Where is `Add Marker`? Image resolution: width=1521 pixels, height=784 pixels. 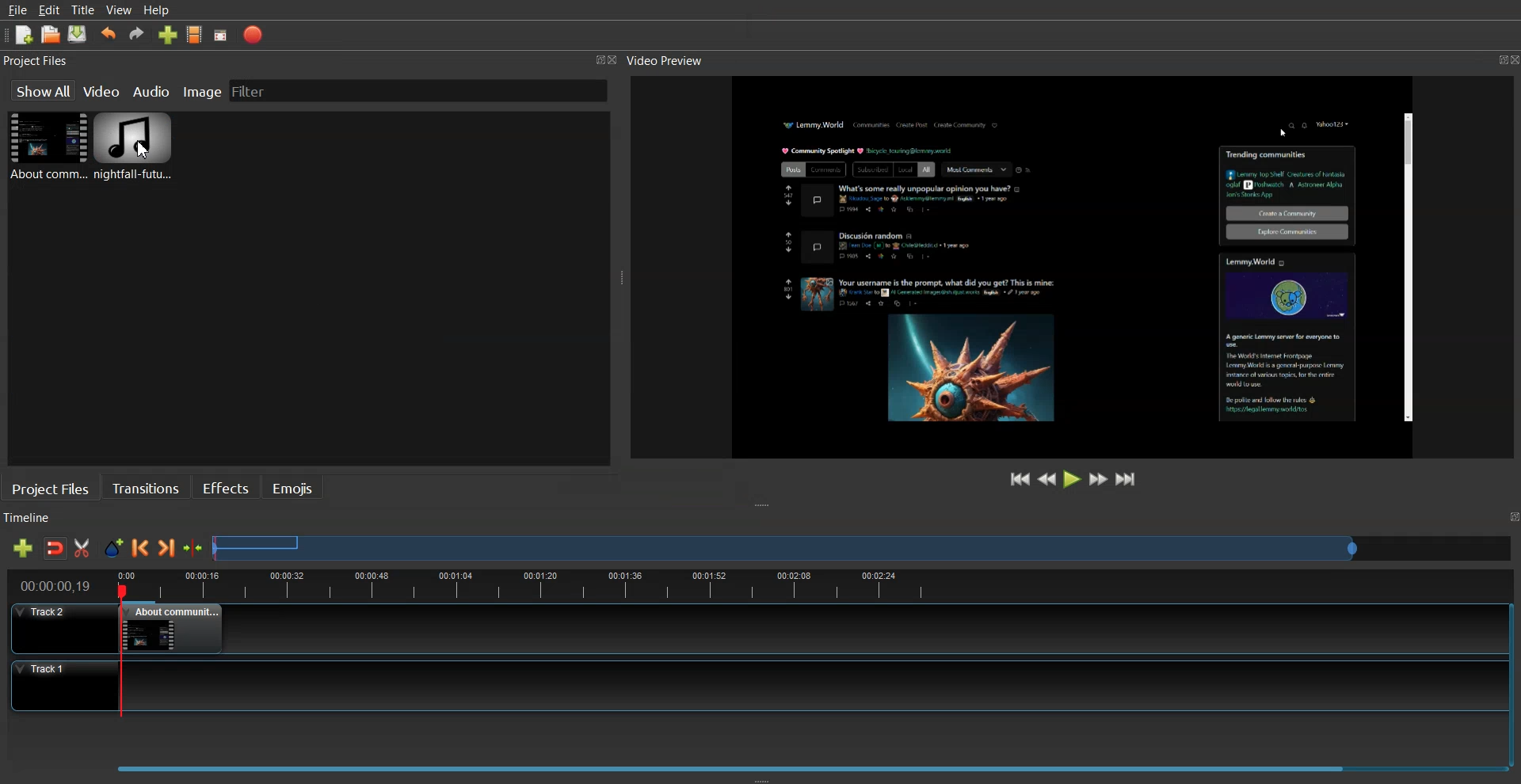 Add Marker is located at coordinates (113, 548).